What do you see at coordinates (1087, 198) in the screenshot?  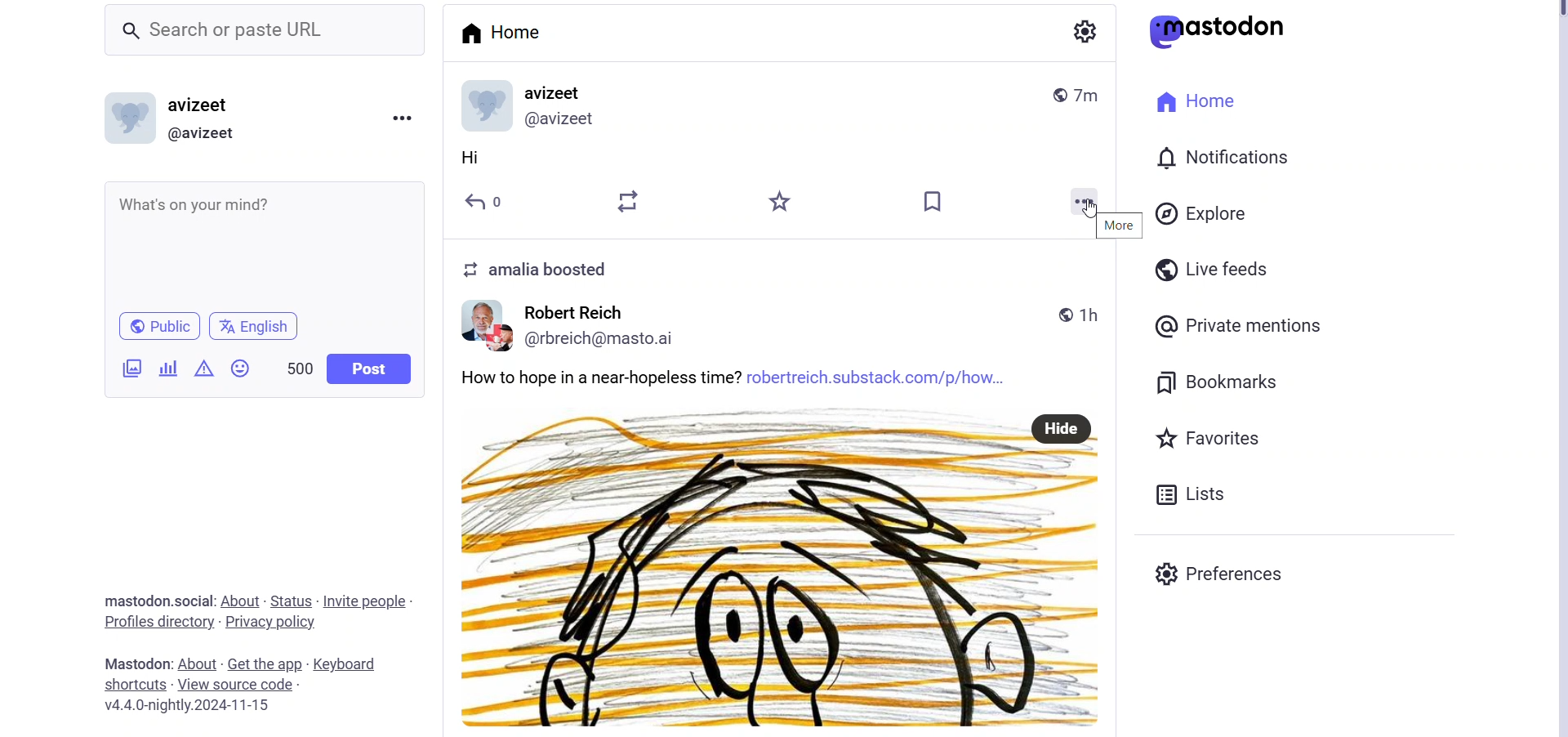 I see `More` at bounding box center [1087, 198].